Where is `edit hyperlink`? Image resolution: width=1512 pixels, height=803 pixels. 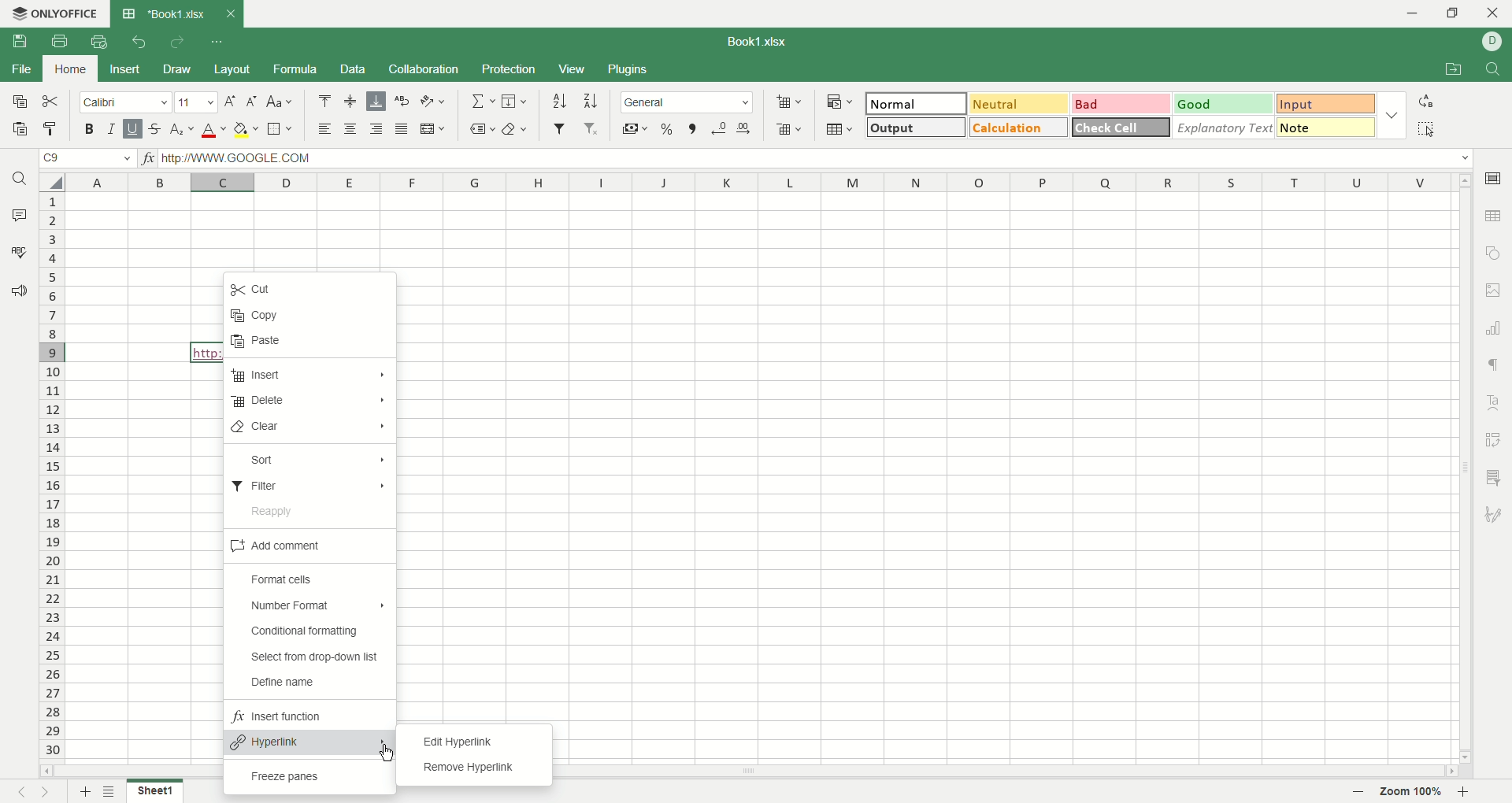 edit hyperlink is located at coordinates (464, 737).